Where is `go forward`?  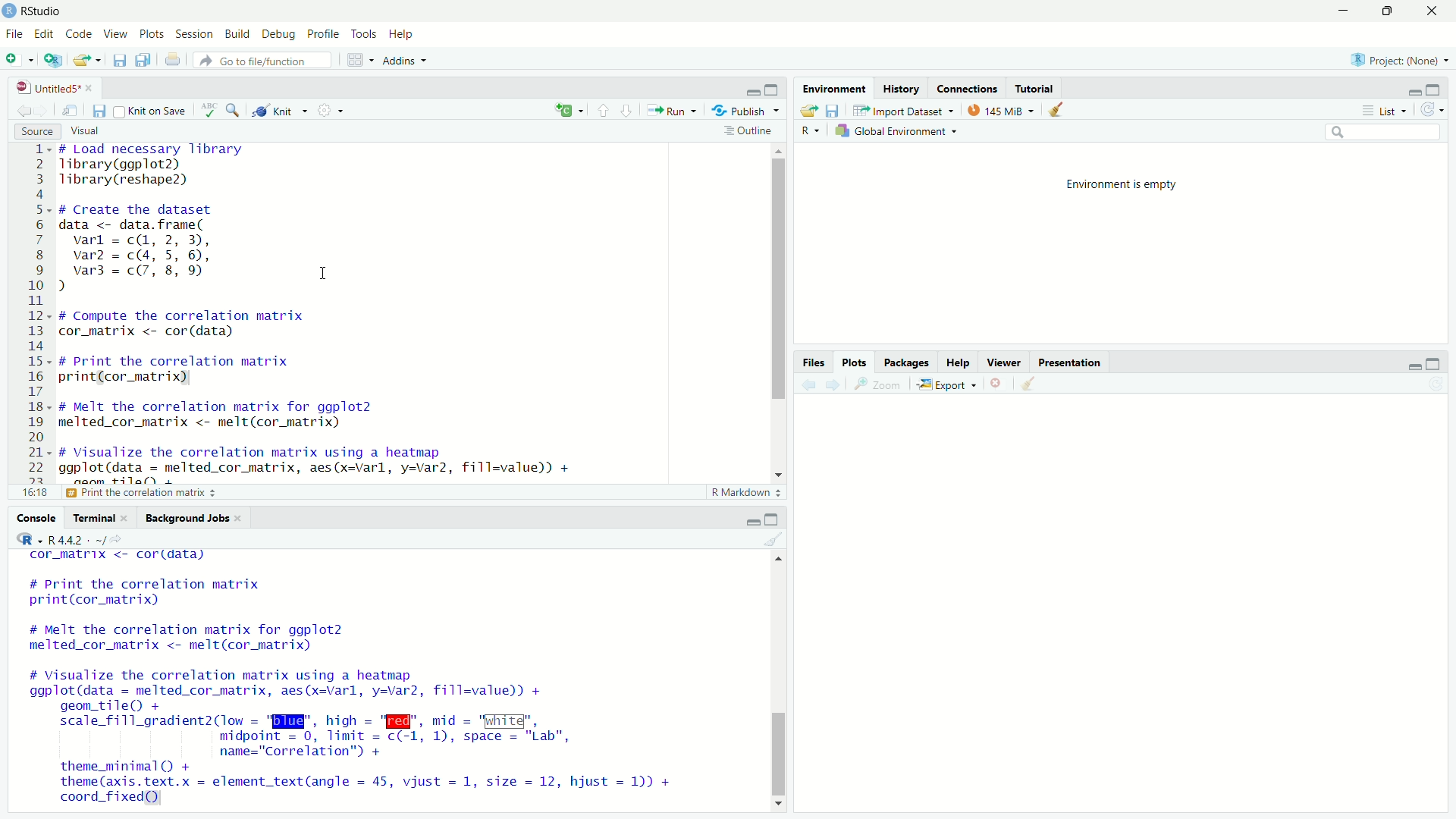 go forward is located at coordinates (45, 110).